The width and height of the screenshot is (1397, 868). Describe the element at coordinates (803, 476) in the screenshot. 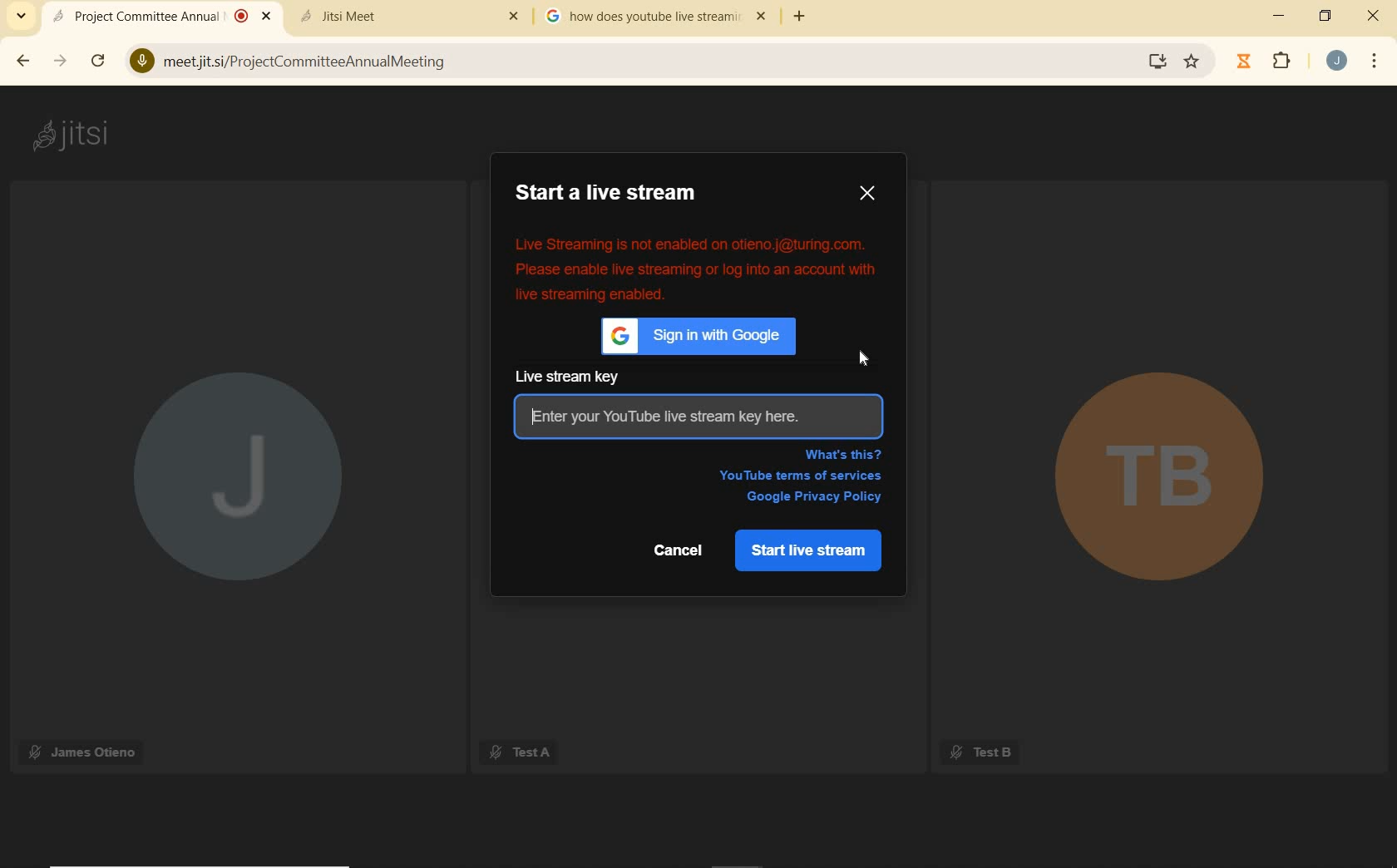

I see `YouTube terms of services` at that location.